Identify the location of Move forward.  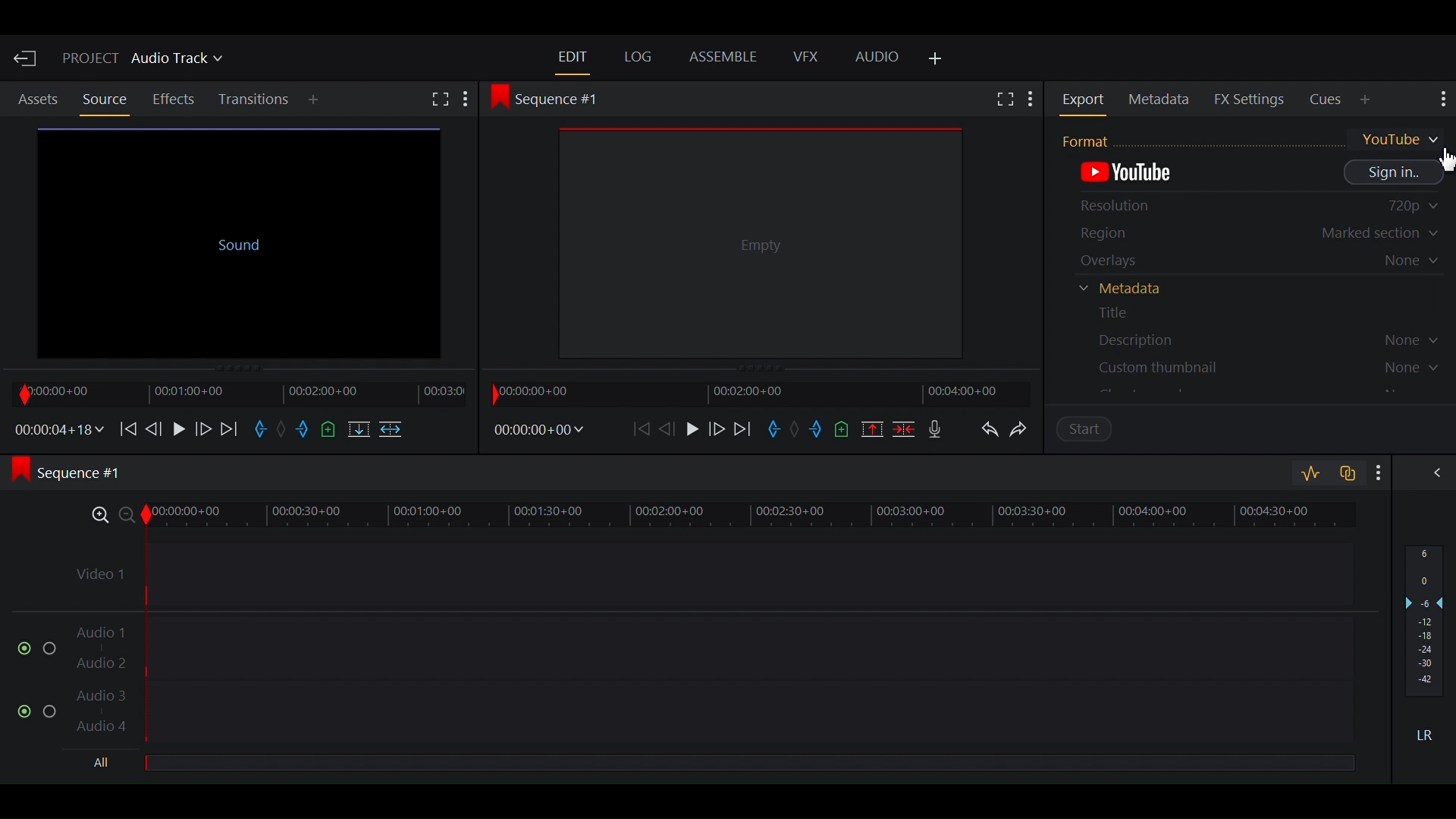
(745, 429).